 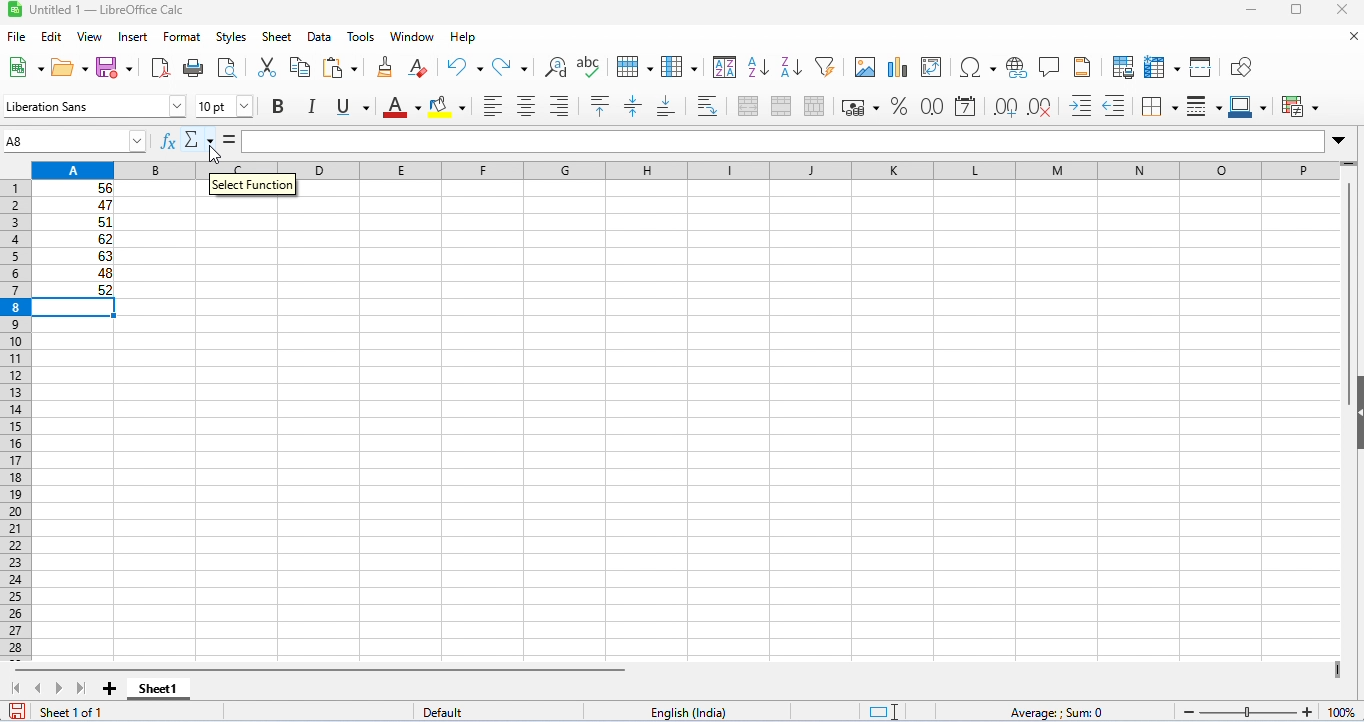 I want to click on italics, so click(x=310, y=106).